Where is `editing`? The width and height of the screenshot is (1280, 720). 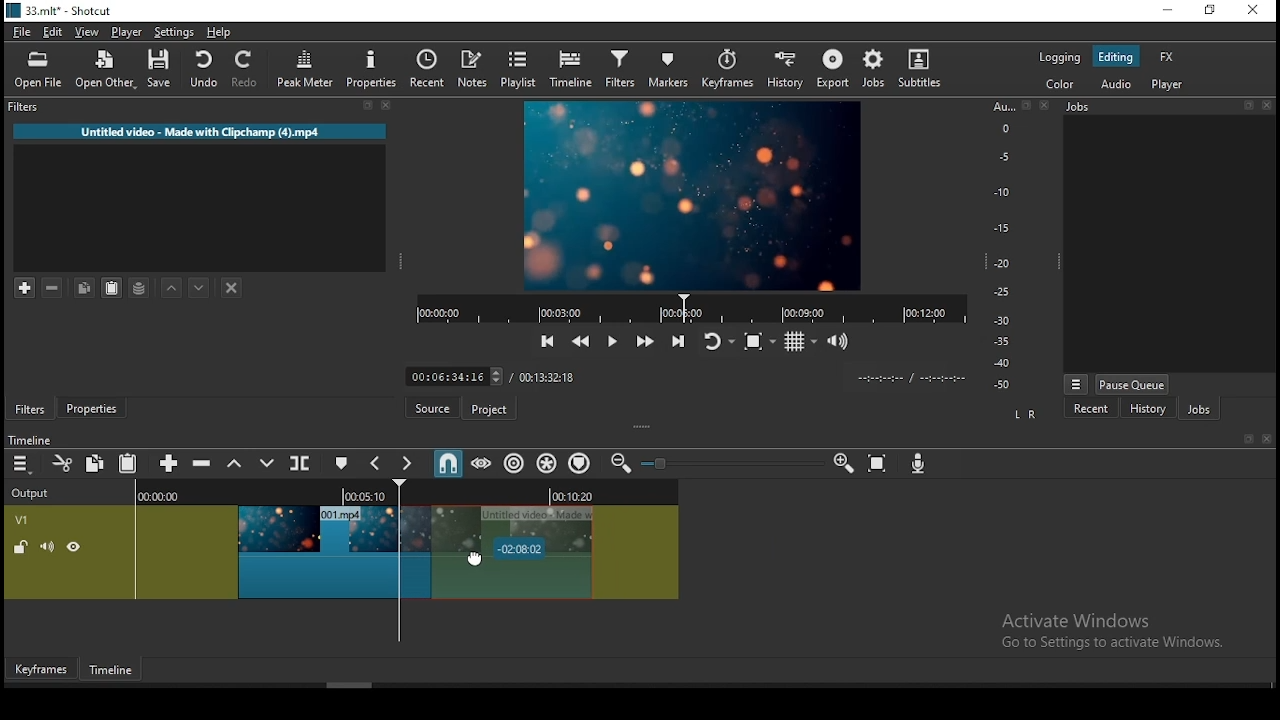 editing is located at coordinates (1116, 58).